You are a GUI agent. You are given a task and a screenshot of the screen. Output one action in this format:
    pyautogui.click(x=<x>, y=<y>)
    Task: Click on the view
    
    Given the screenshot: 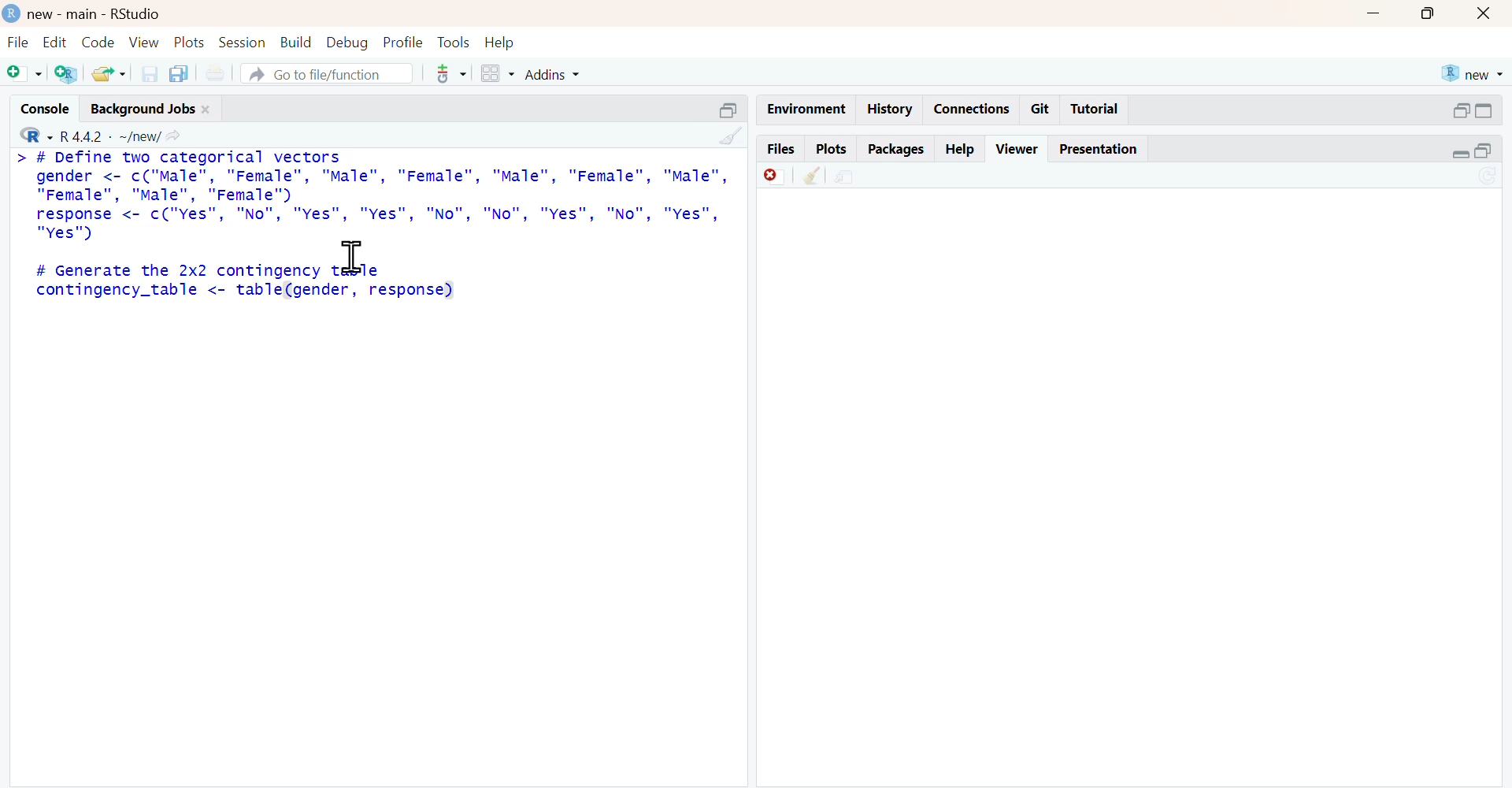 What is the action you would take?
    pyautogui.click(x=145, y=42)
    